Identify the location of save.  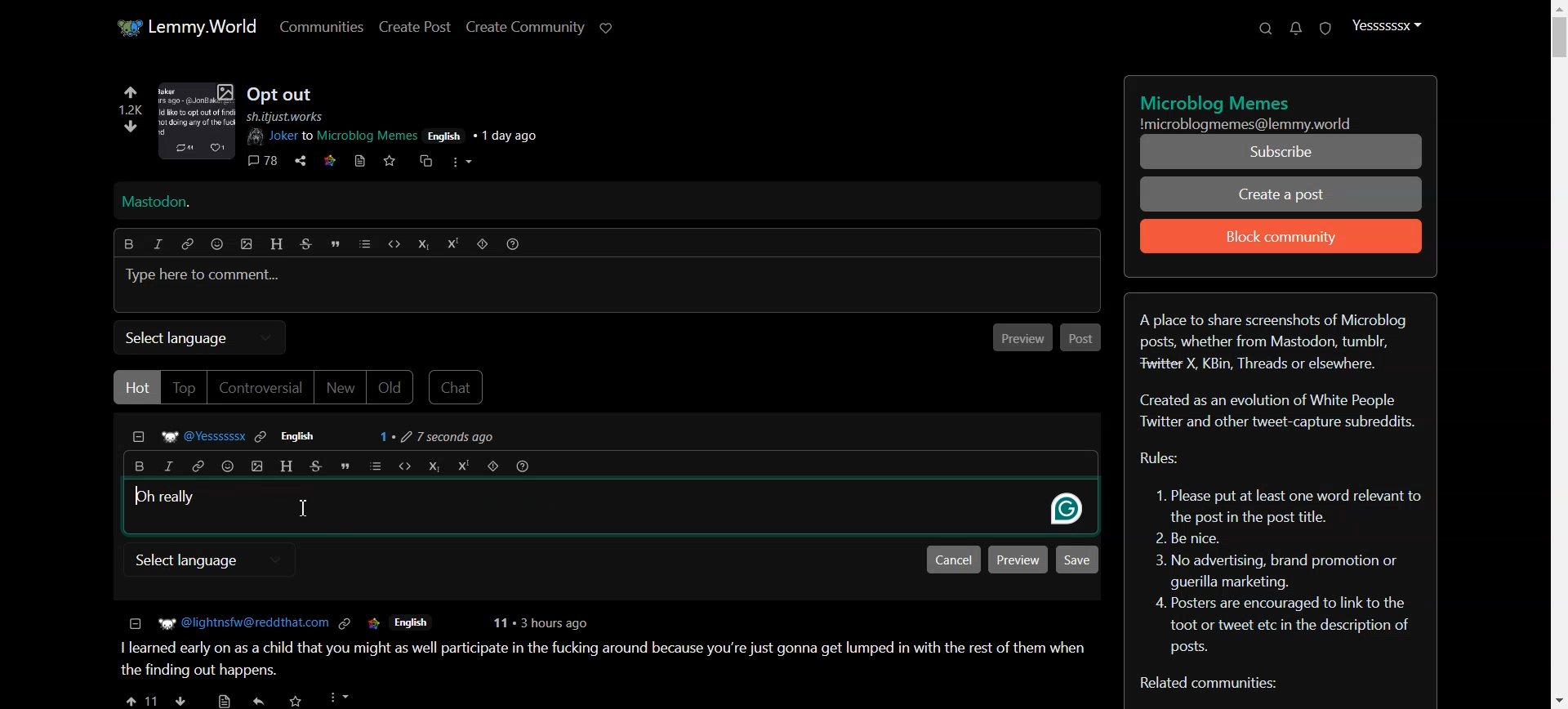
(389, 161).